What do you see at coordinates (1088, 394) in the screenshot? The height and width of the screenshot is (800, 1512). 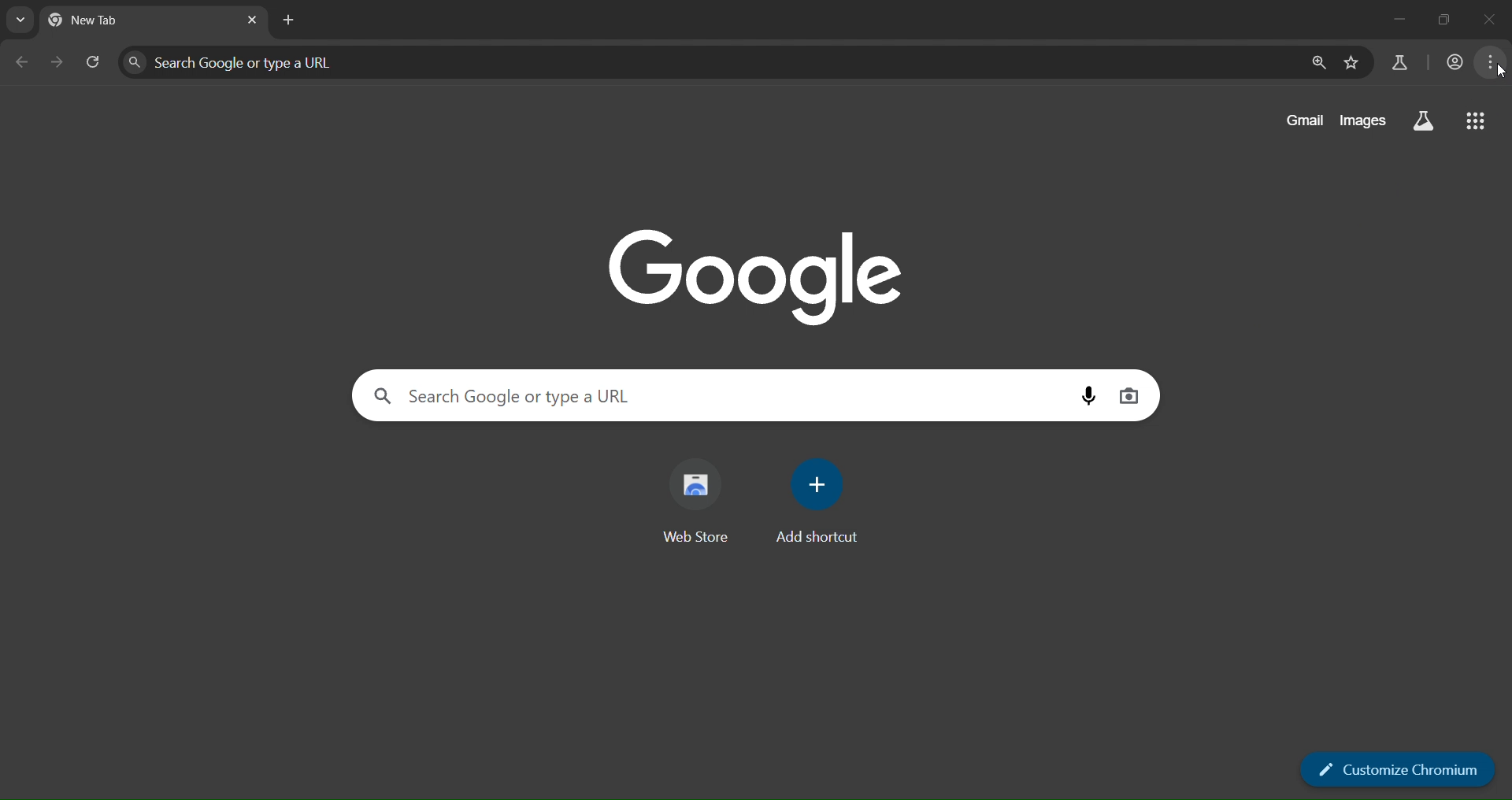 I see `voice search` at bounding box center [1088, 394].